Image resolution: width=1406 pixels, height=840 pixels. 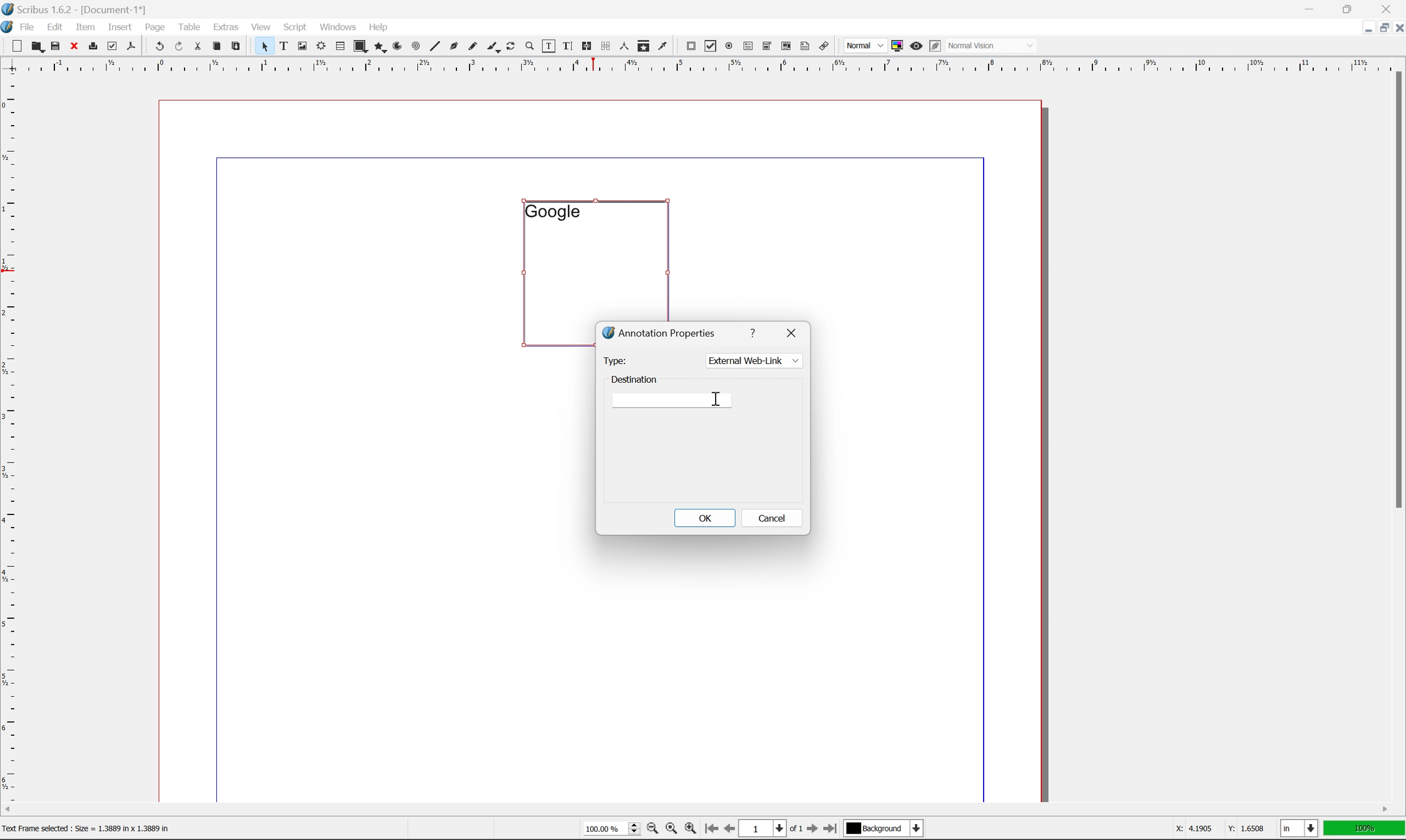 I want to click on open, so click(x=36, y=47).